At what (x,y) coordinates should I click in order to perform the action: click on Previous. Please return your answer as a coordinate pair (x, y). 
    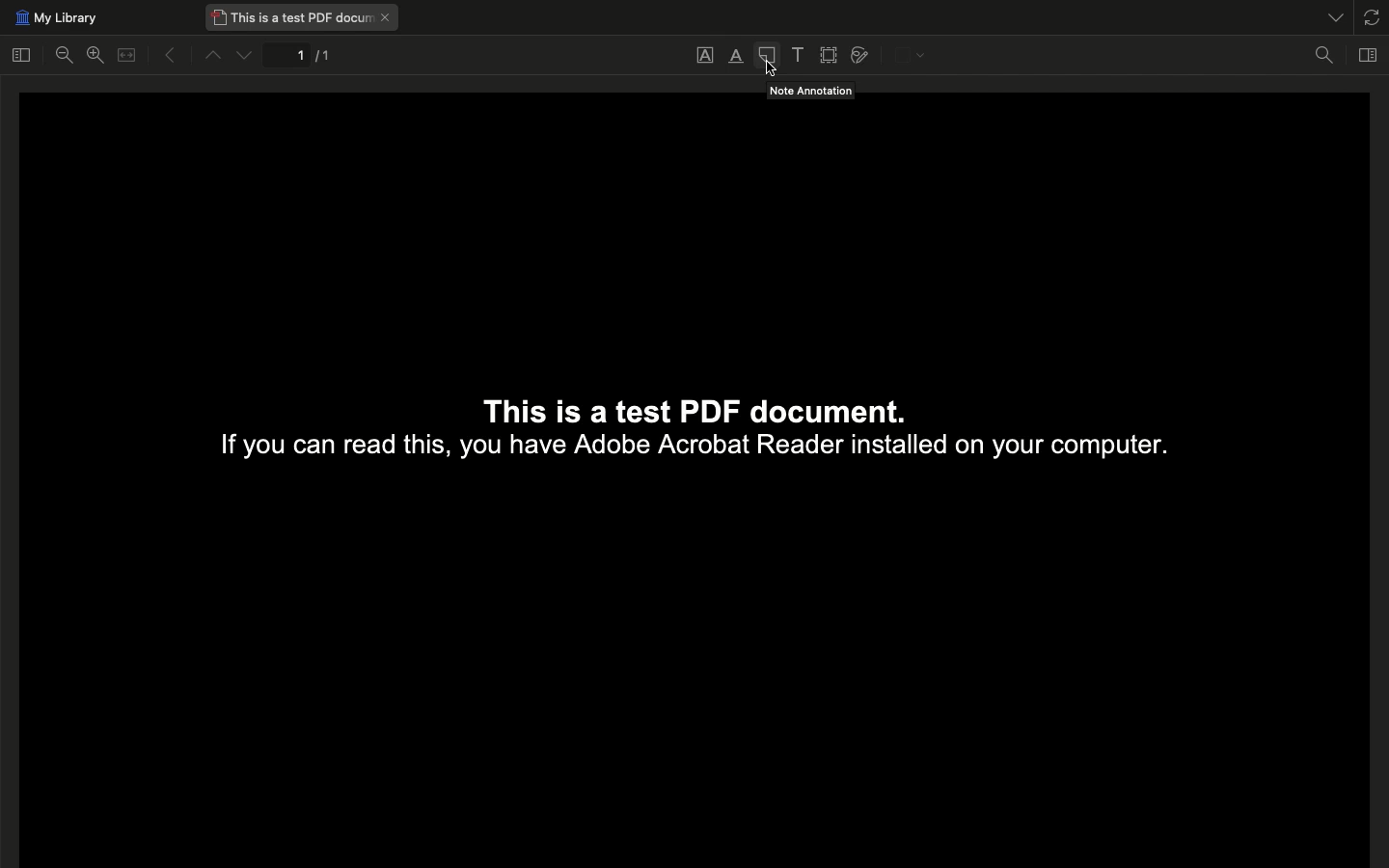
    Looking at the image, I should click on (163, 56).